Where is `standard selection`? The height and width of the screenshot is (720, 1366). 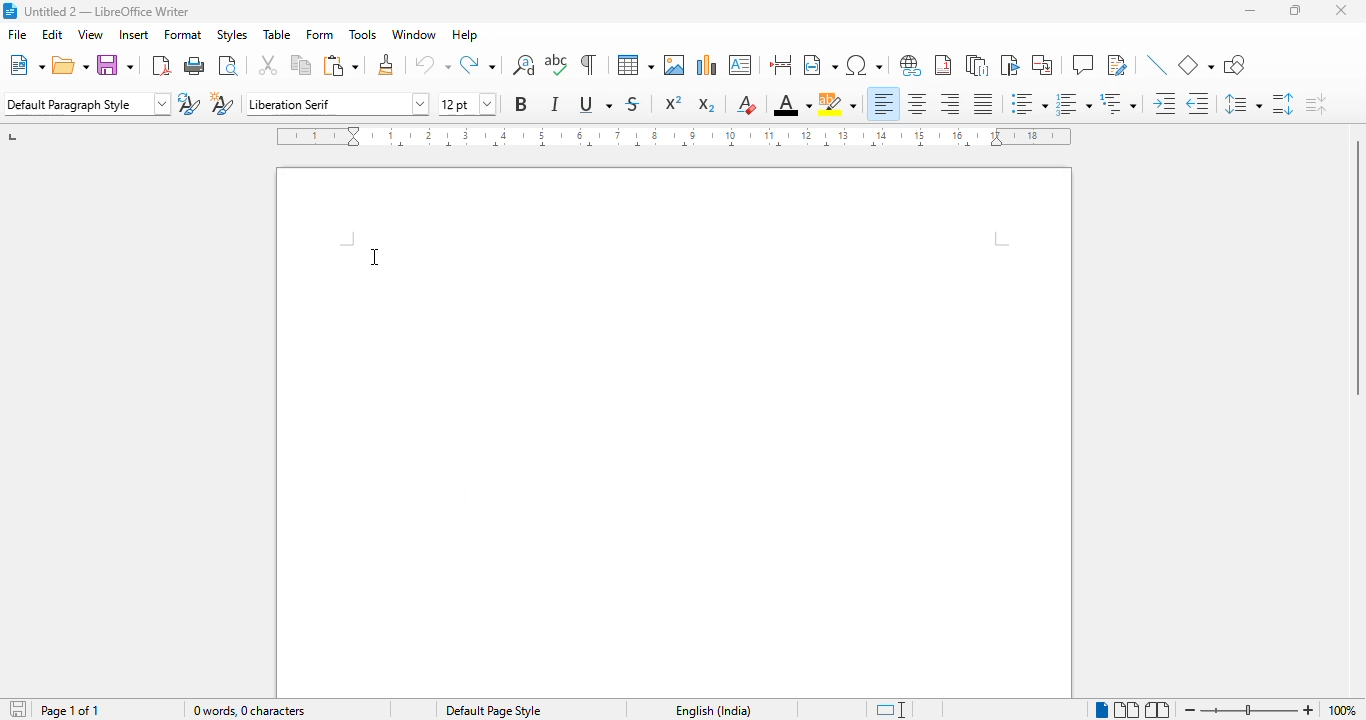 standard selection is located at coordinates (890, 710).